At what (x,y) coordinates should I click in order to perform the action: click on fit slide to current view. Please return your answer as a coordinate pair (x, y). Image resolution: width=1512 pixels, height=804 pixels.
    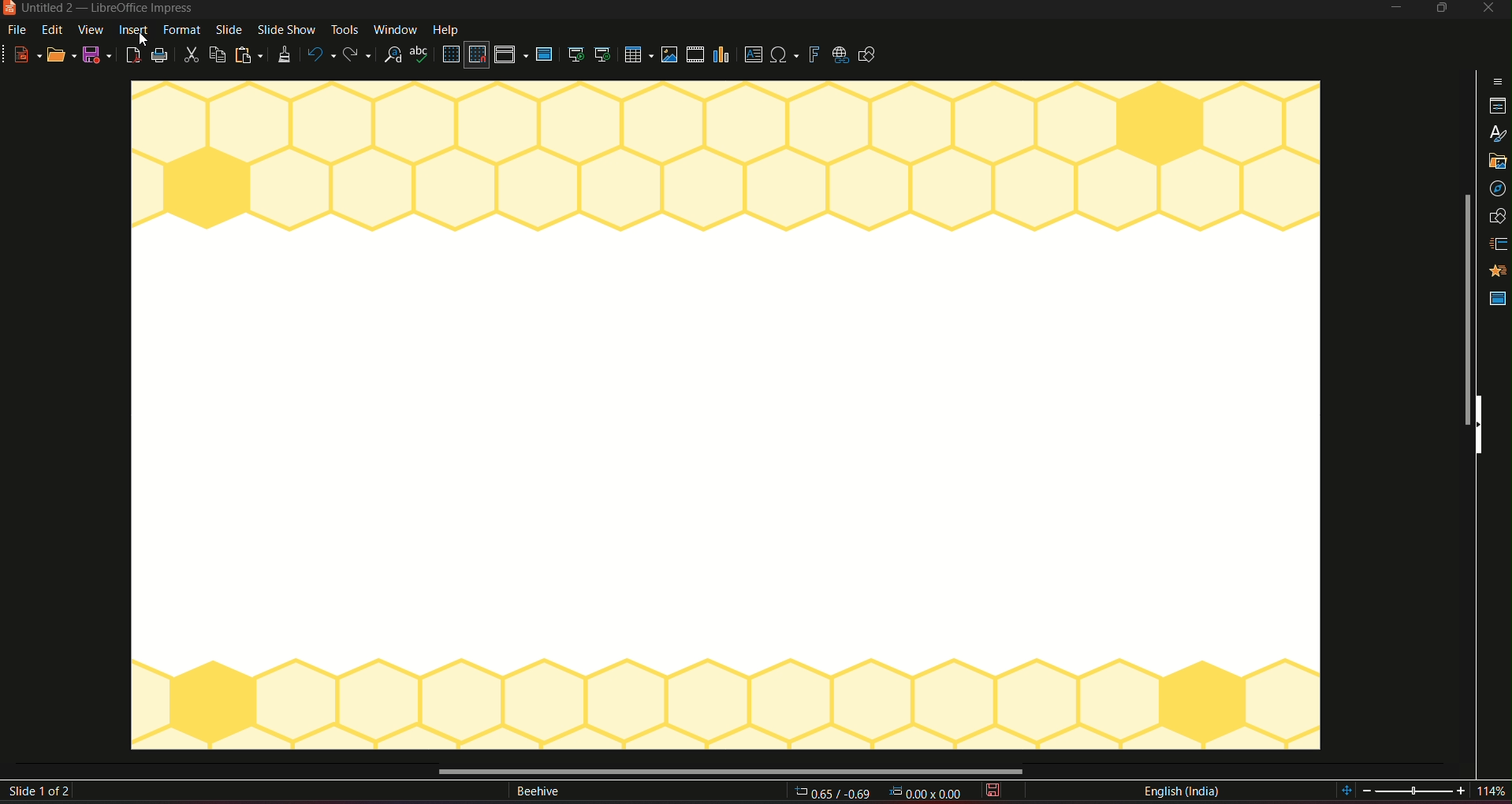
    Looking at the image, I should click on (1347, 791).